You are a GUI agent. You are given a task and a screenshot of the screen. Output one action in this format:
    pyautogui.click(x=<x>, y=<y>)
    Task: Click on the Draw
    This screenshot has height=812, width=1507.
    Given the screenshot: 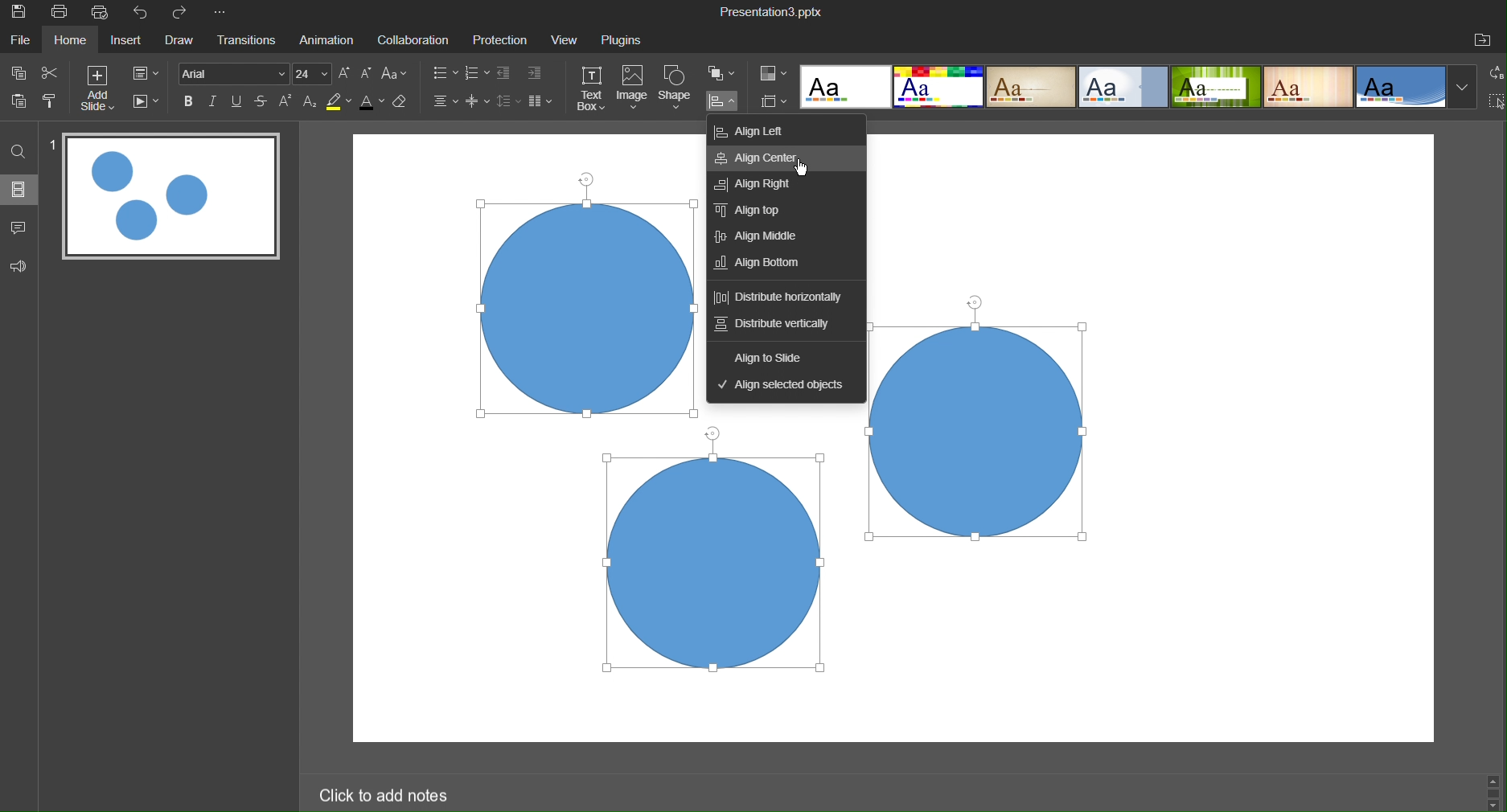 What is the action you would take?
    pyautogui.click(x=183, y=42)
    